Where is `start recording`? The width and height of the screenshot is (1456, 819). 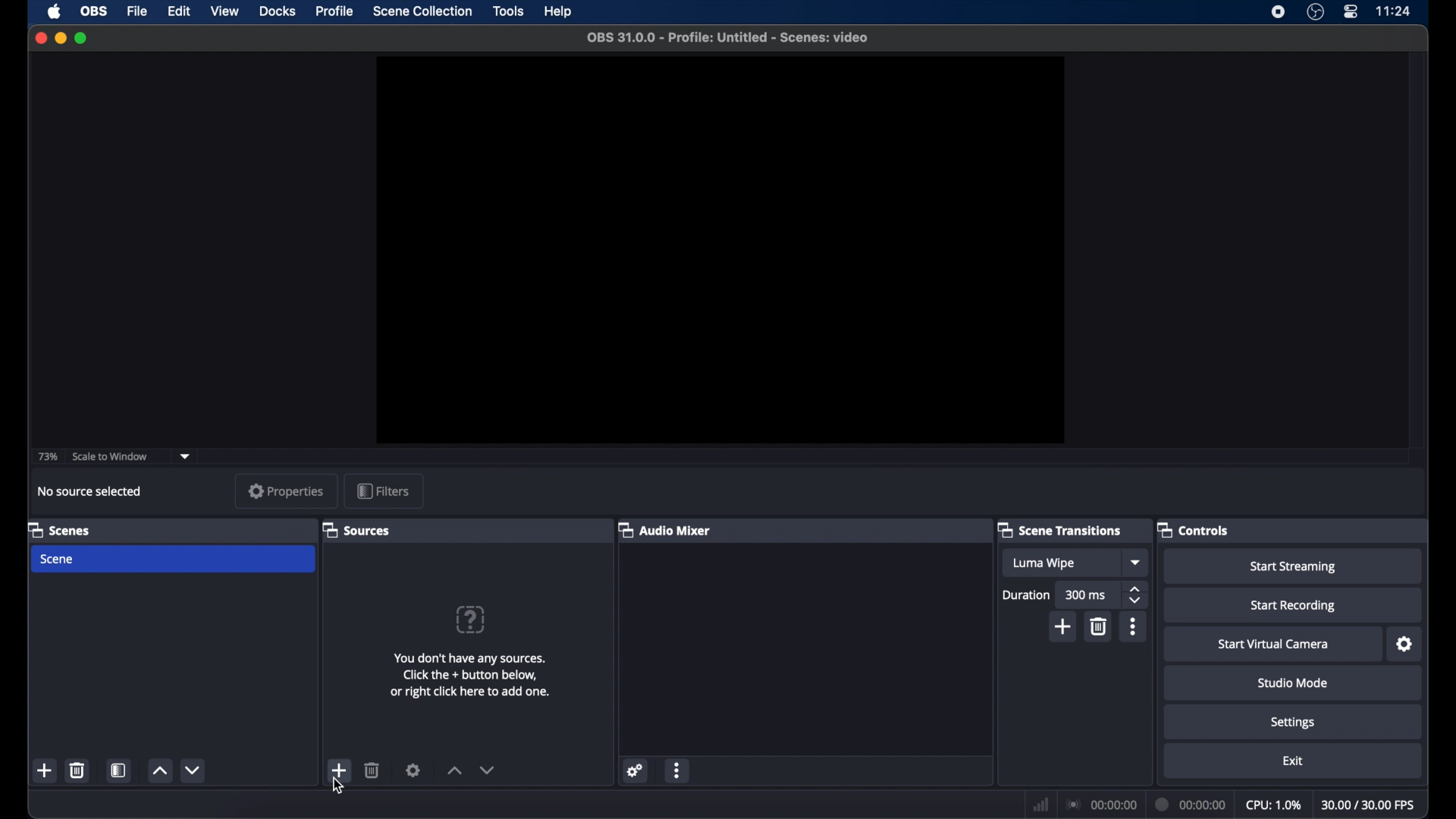 start recording is located at coordinates (1293, 606).